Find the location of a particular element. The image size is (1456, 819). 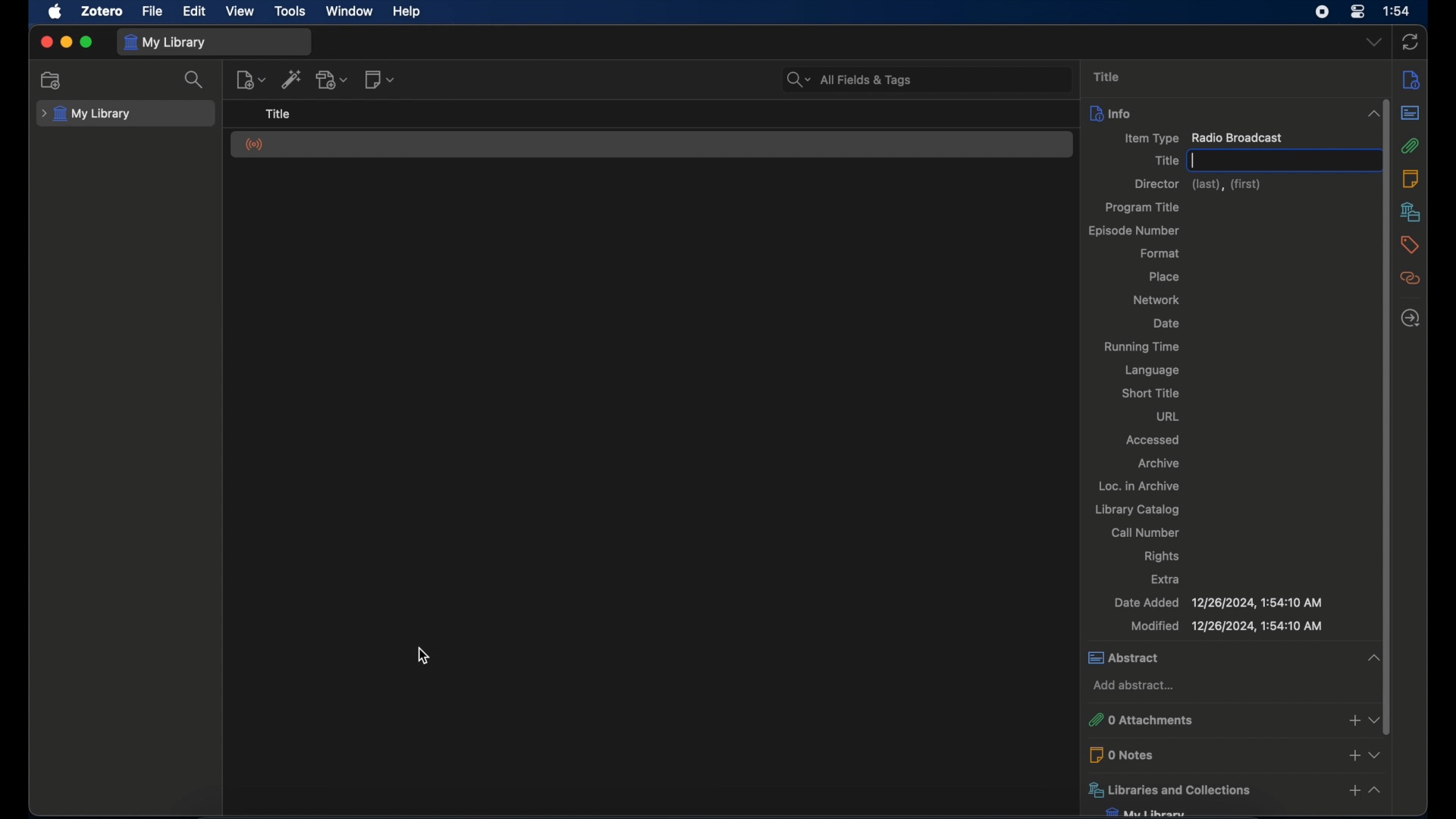

help is located at coordinates (409, 12).